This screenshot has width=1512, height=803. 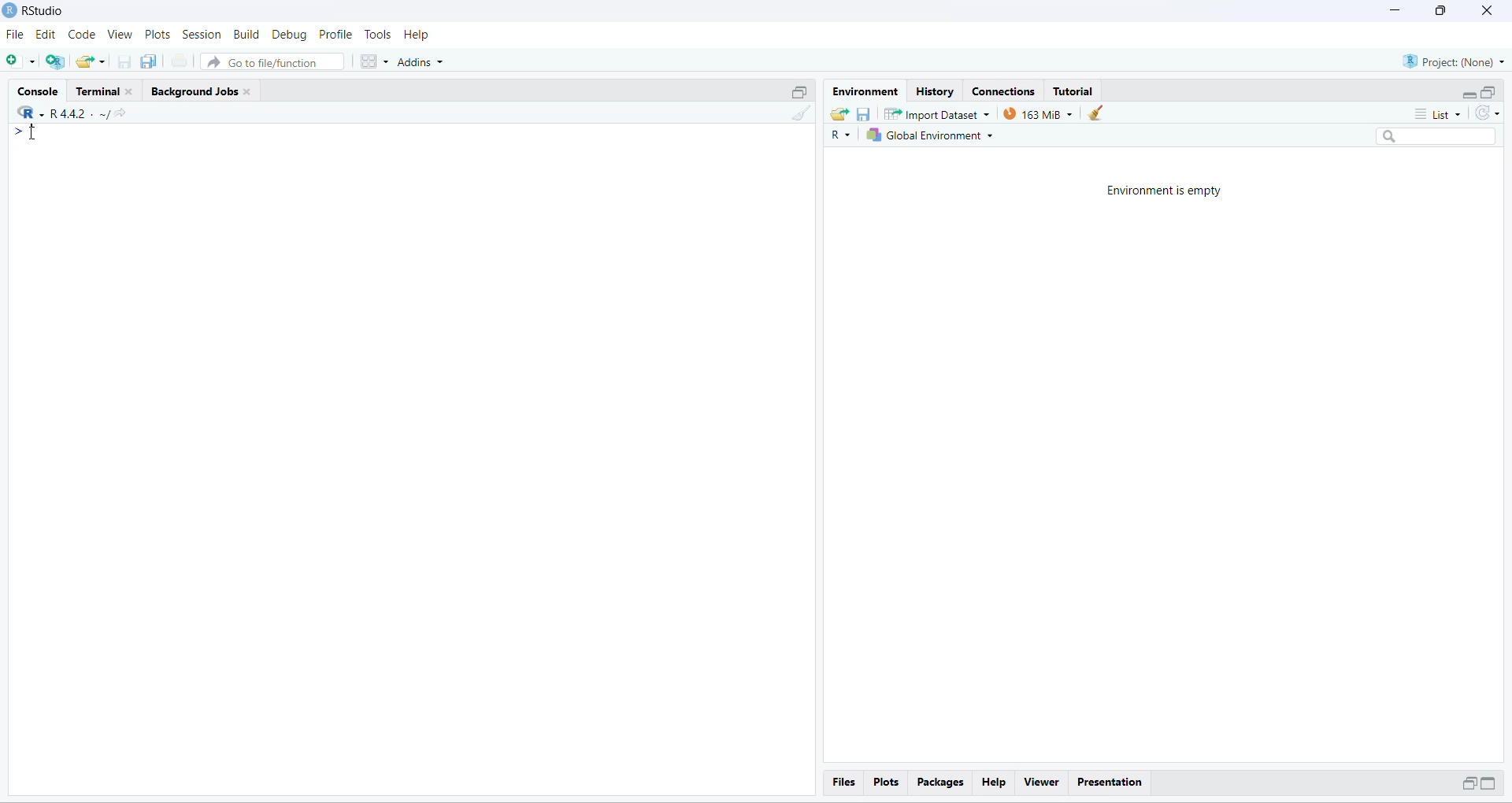 What do you see at coordinates (1038, 114) in the screenshot?
I see `163 MB` at bounding box center [1038, 114].